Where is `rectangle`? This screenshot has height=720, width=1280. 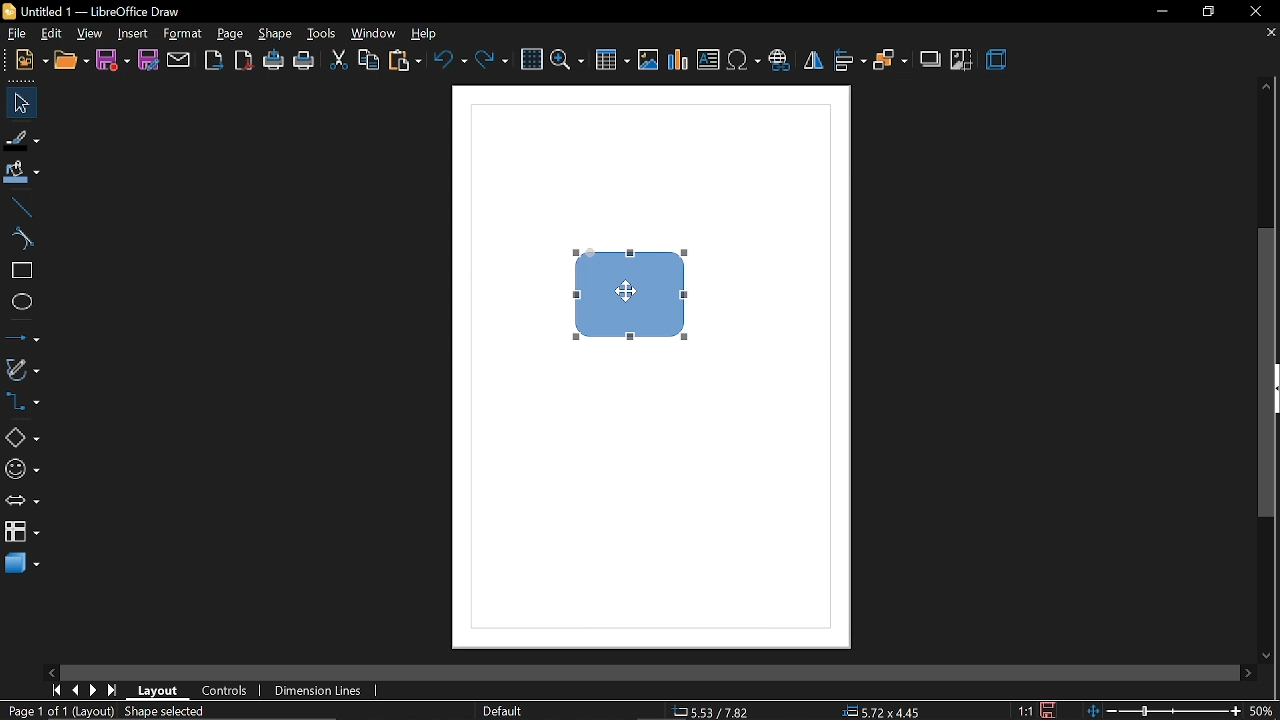
rectangle is located at coordinates (21, 272).